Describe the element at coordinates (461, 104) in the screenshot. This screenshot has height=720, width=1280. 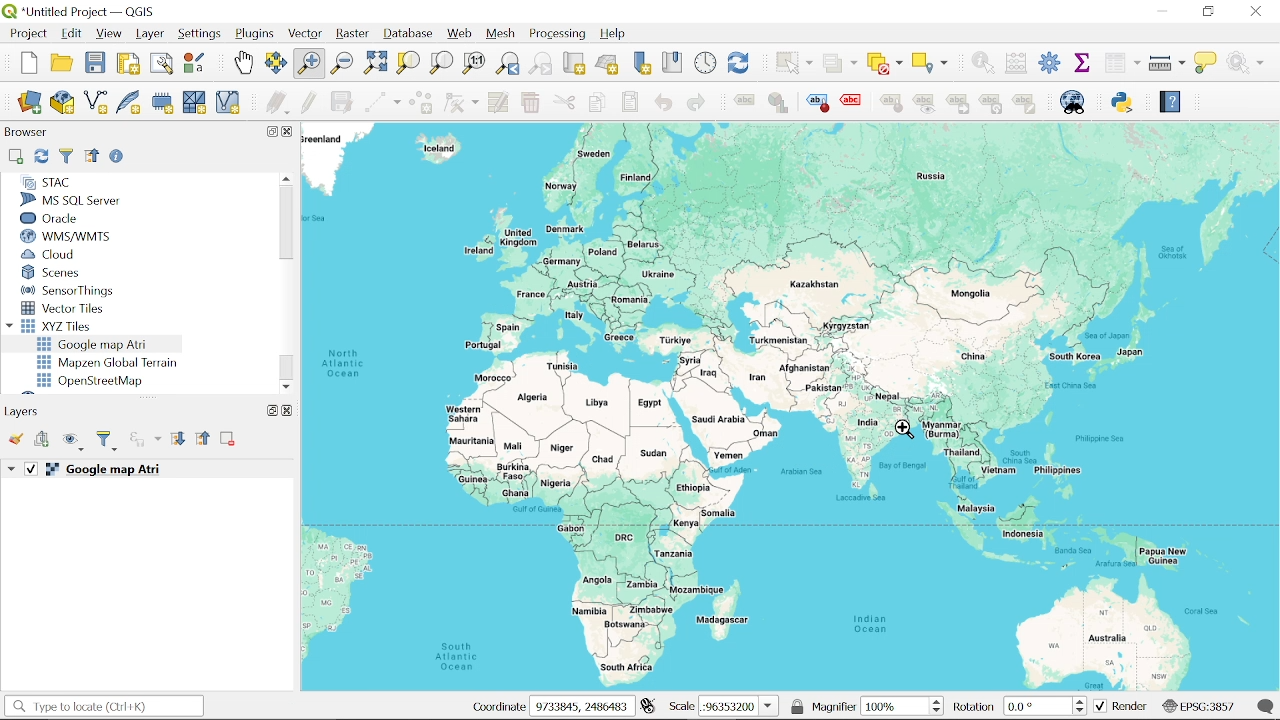
I see `Vertex tool` at that location.